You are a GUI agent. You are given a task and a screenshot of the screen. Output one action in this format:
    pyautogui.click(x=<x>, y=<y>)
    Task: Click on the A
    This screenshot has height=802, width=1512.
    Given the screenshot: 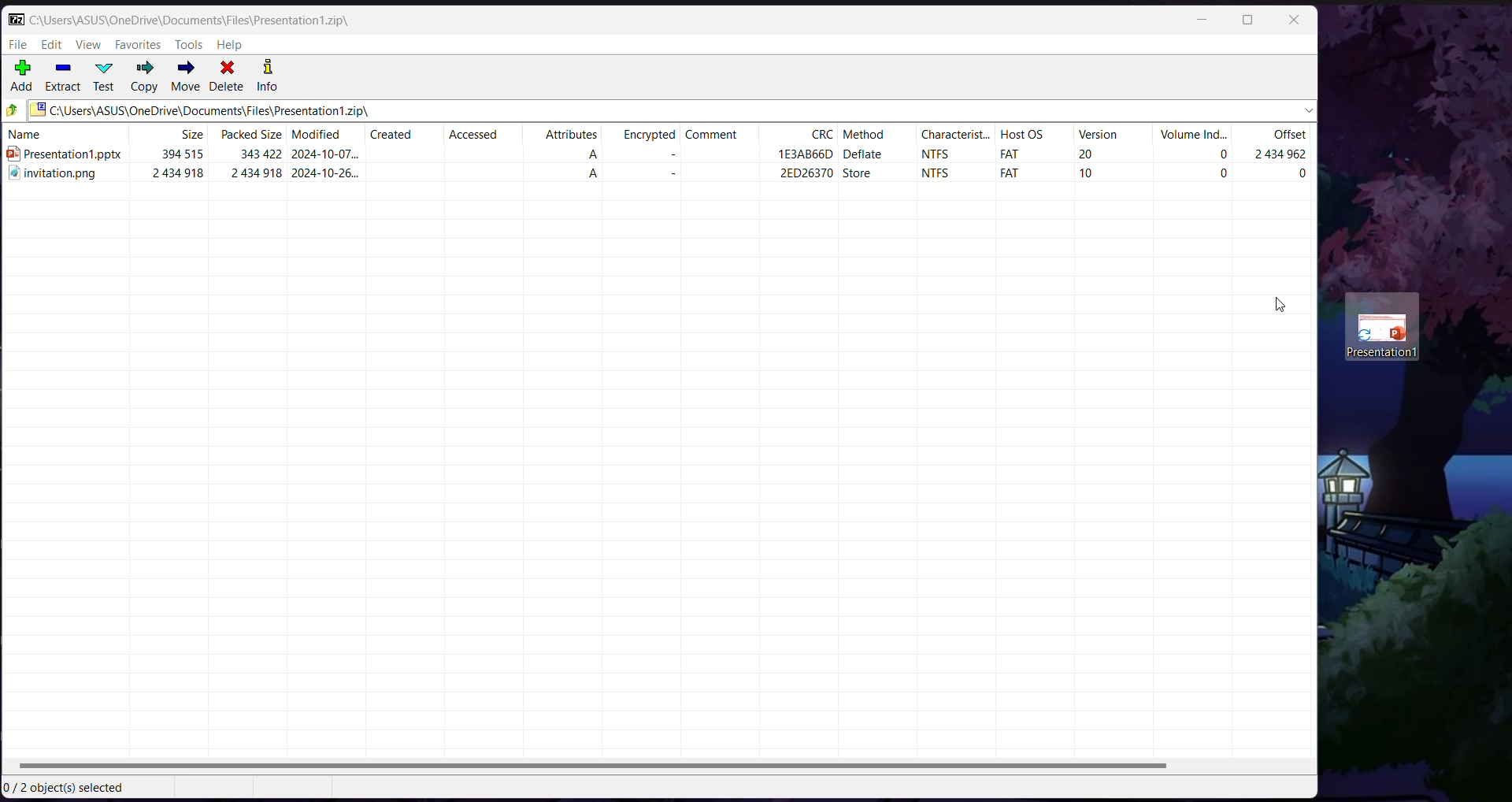 What is the action you would take?
    pyautogui.click(x=602, y=176)
    